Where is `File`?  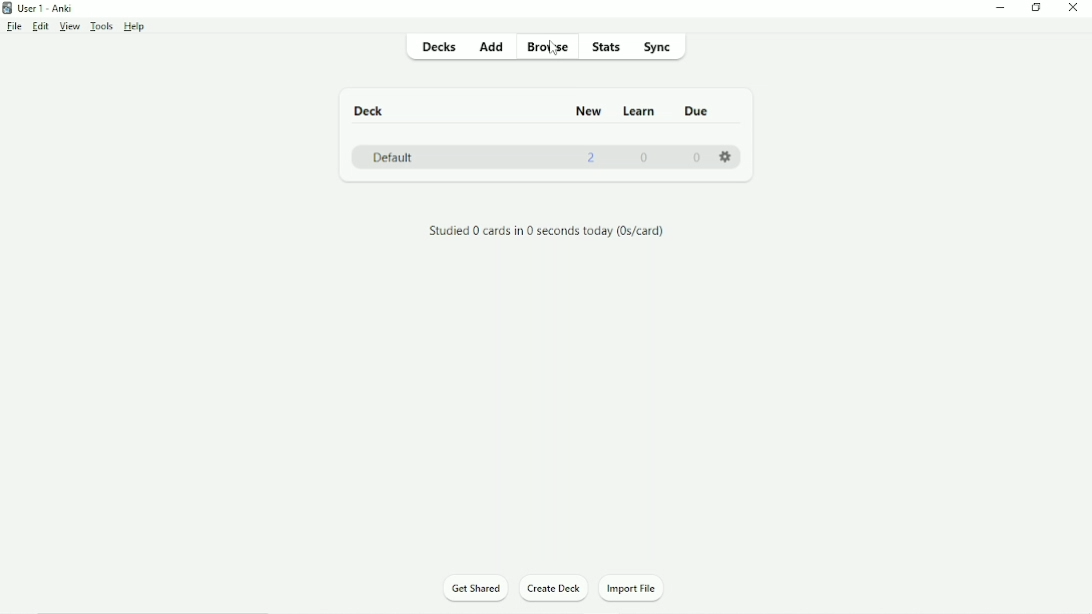
File is located at coordinates (13, 26).